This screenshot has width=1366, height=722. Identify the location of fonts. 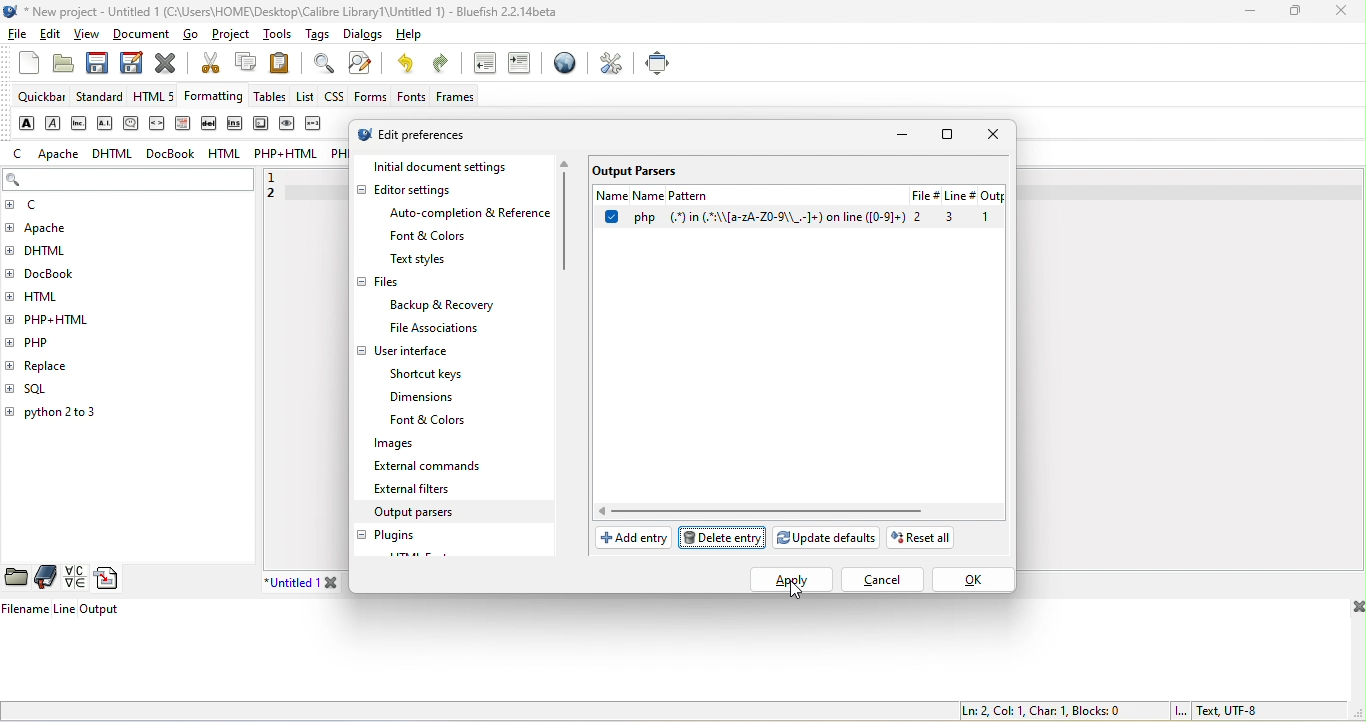
(407, 97).